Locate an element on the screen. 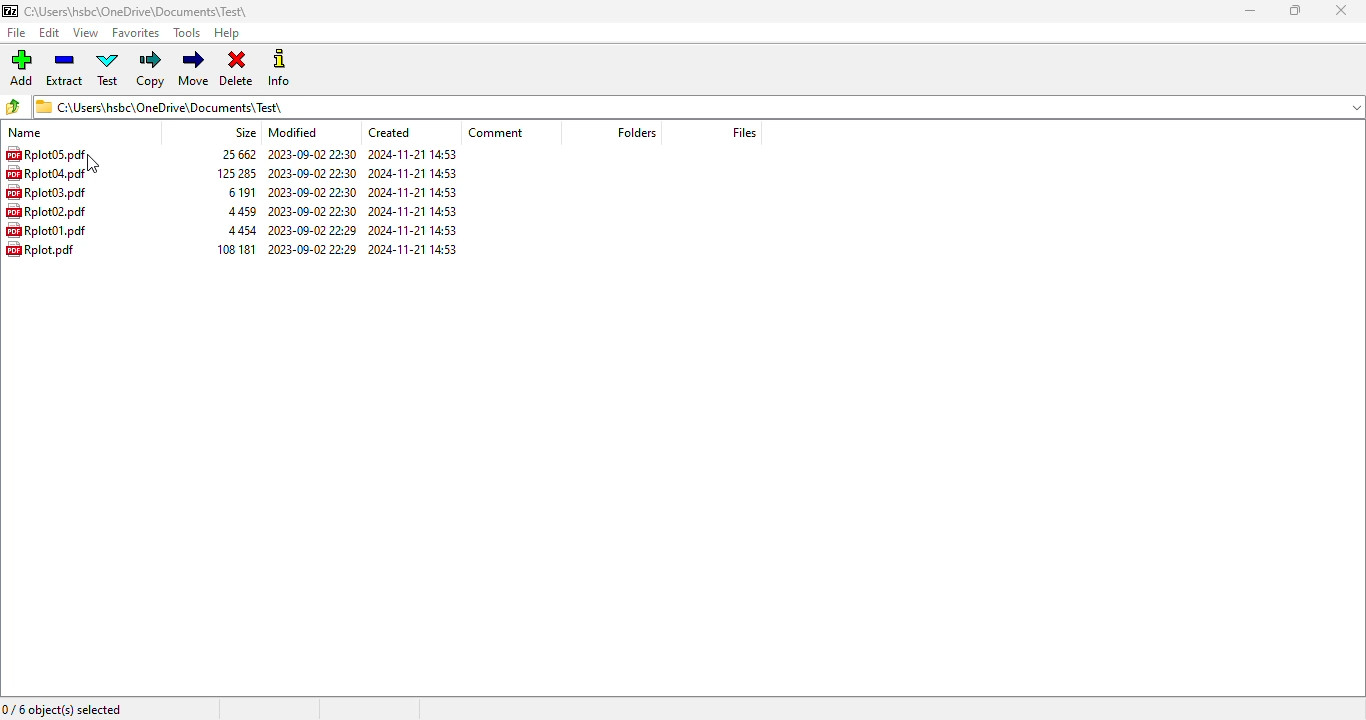 This screenshot has width=1366, height=720. size is located at coordinates (237, 154).